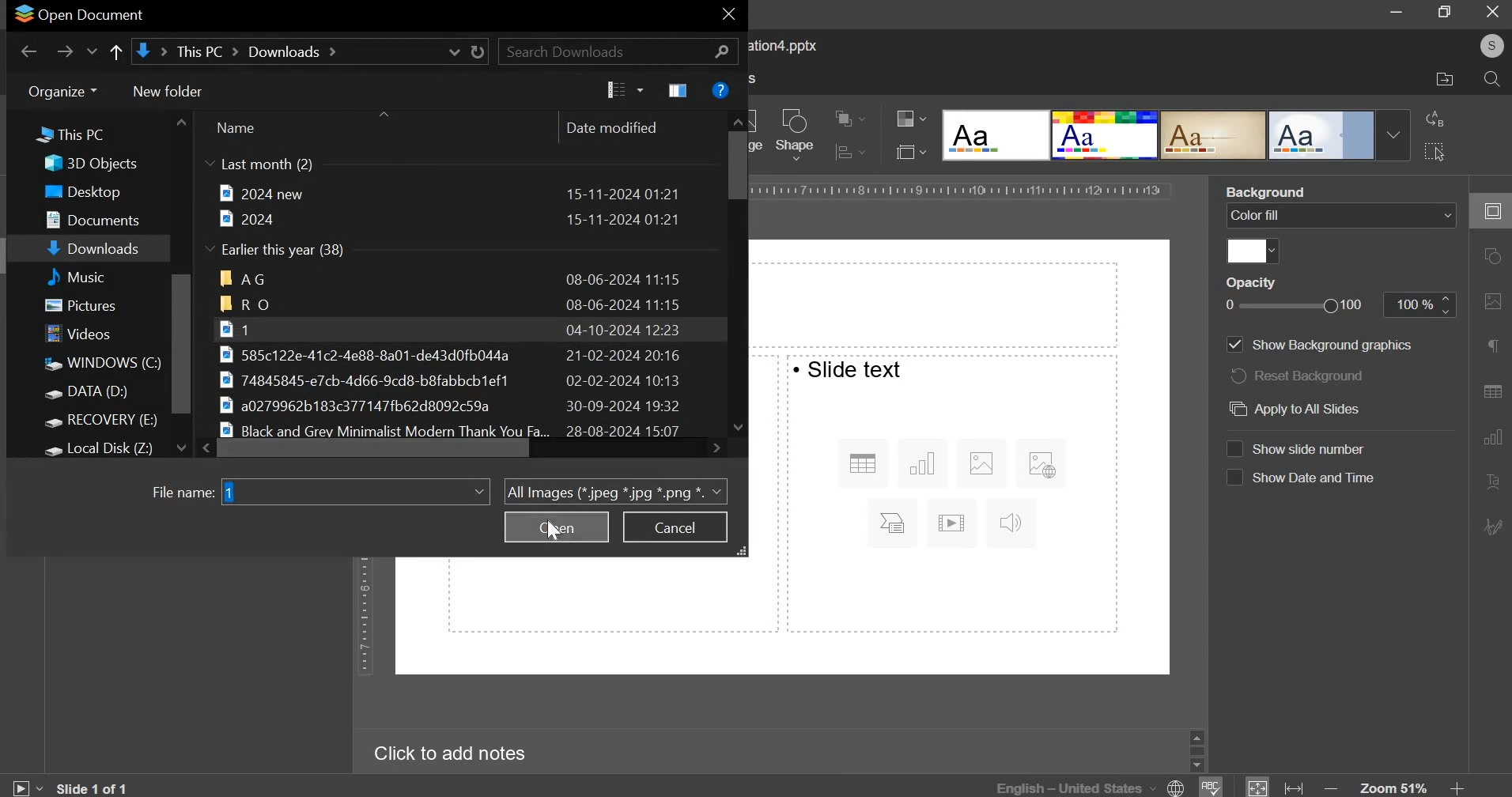 This screenshot has width=1512, height=797. I want to click on d drive, so click(96, 394).